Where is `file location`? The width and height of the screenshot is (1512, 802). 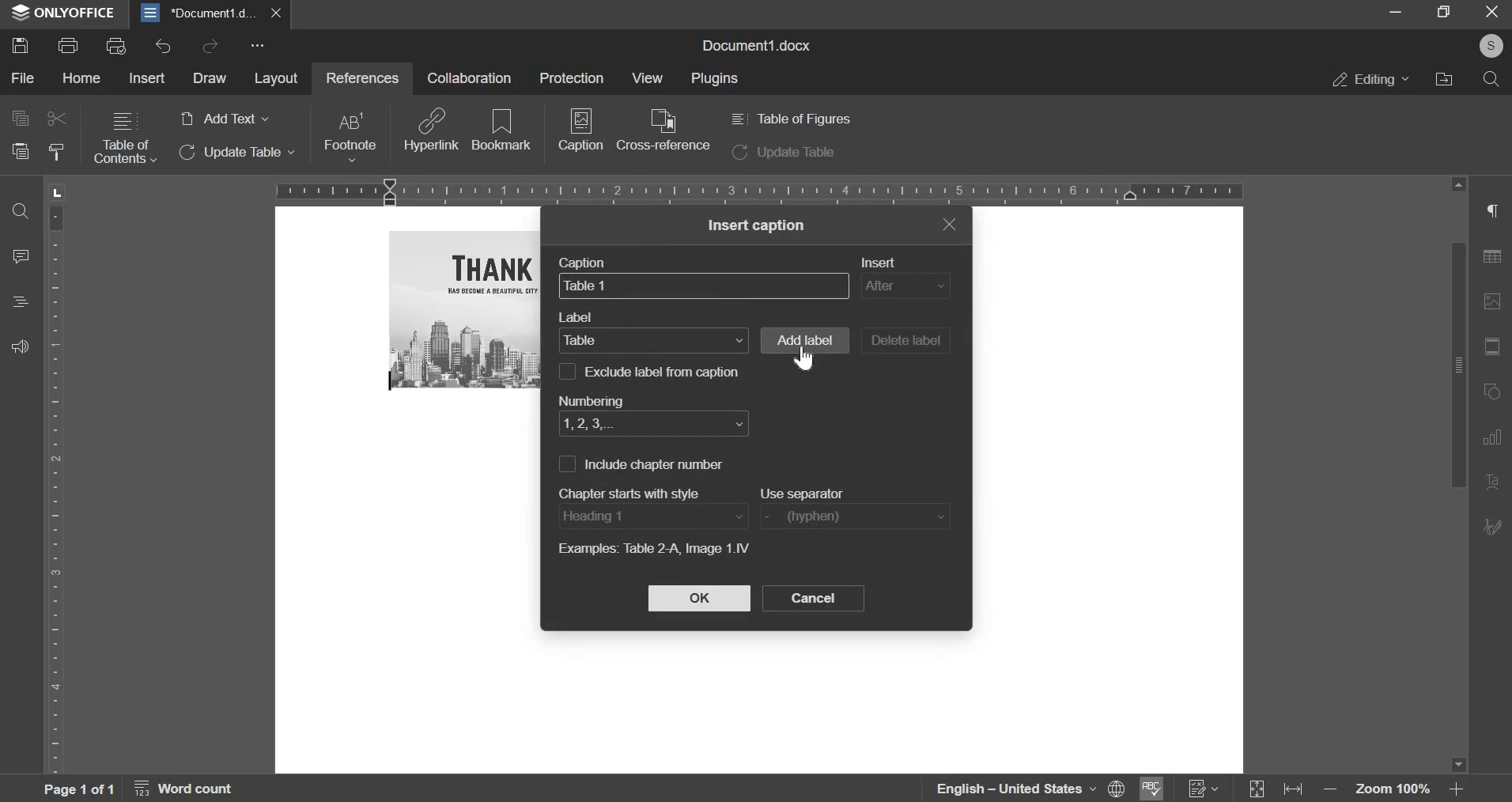
file location is located at coordinates (1443, 78).